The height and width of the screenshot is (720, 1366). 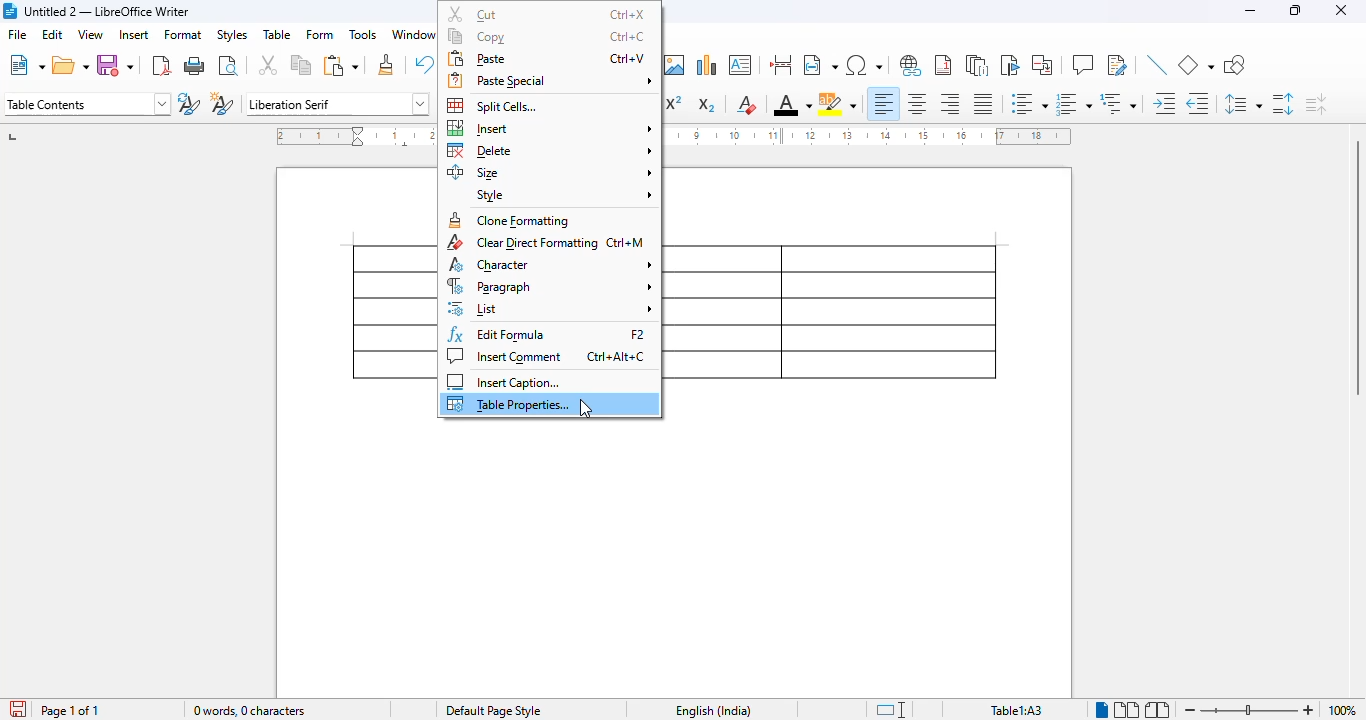 I want to click on clone formatting, so click(x=388, y=64).